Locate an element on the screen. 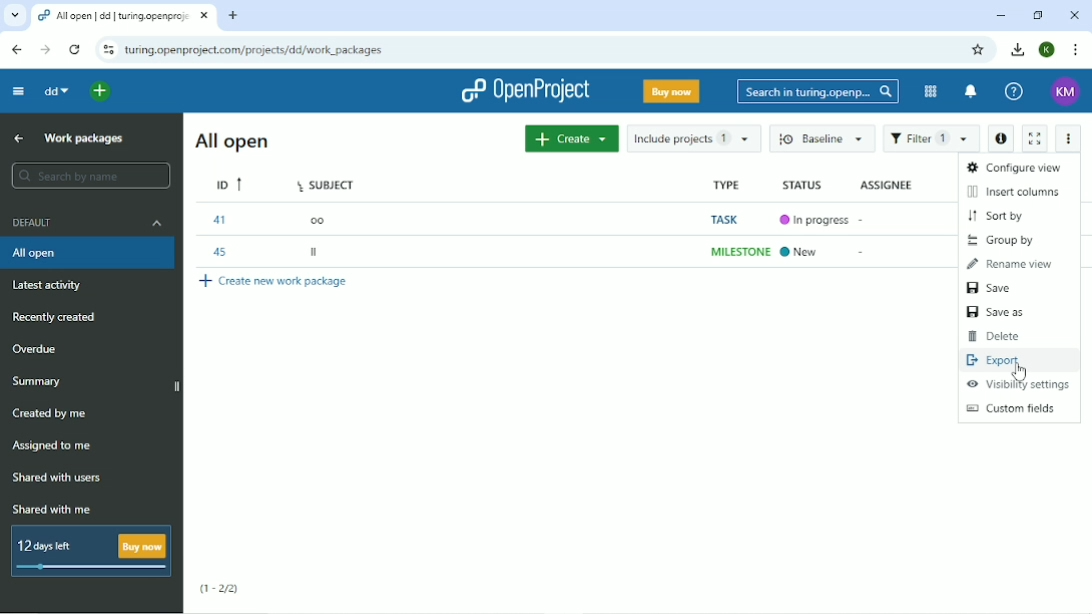  Site is located at coordinates (255, 49).